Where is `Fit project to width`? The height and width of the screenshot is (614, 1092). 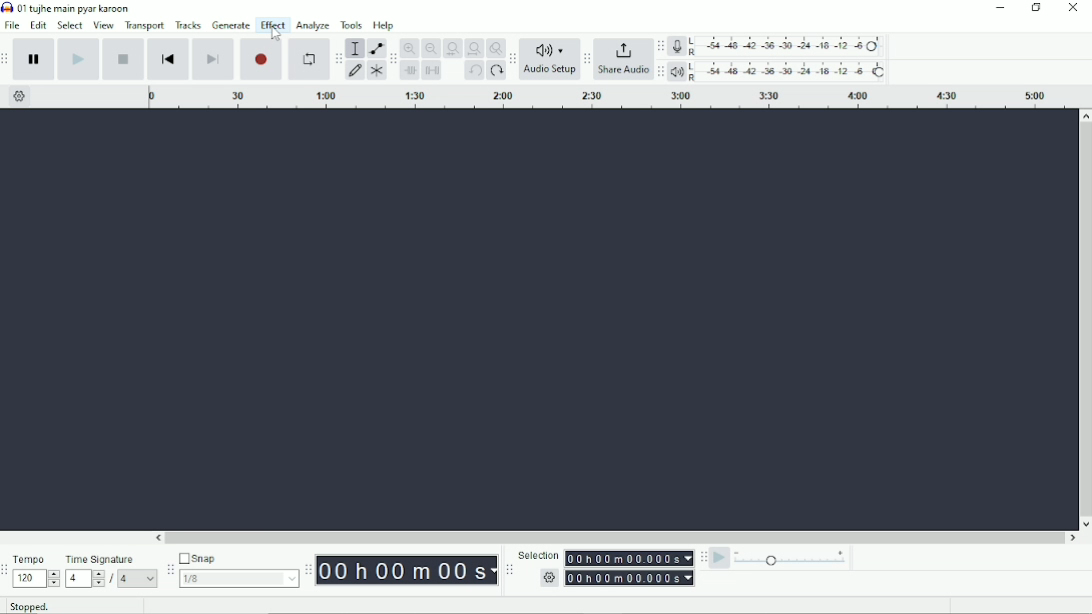
Fit project to width is located at coordinates (474, 48).